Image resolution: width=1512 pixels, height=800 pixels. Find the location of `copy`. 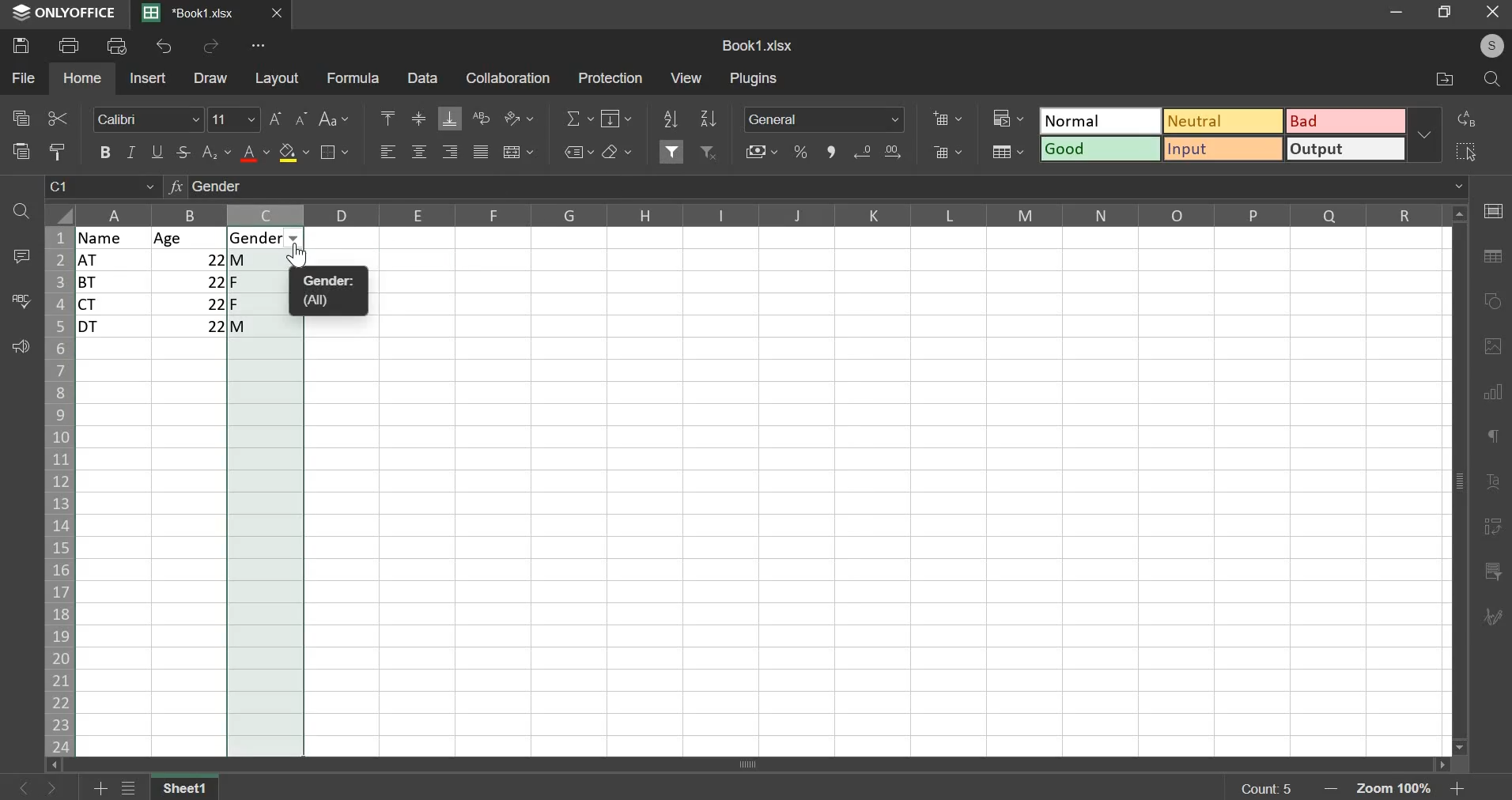

copy is located at coordinates (21, 116).